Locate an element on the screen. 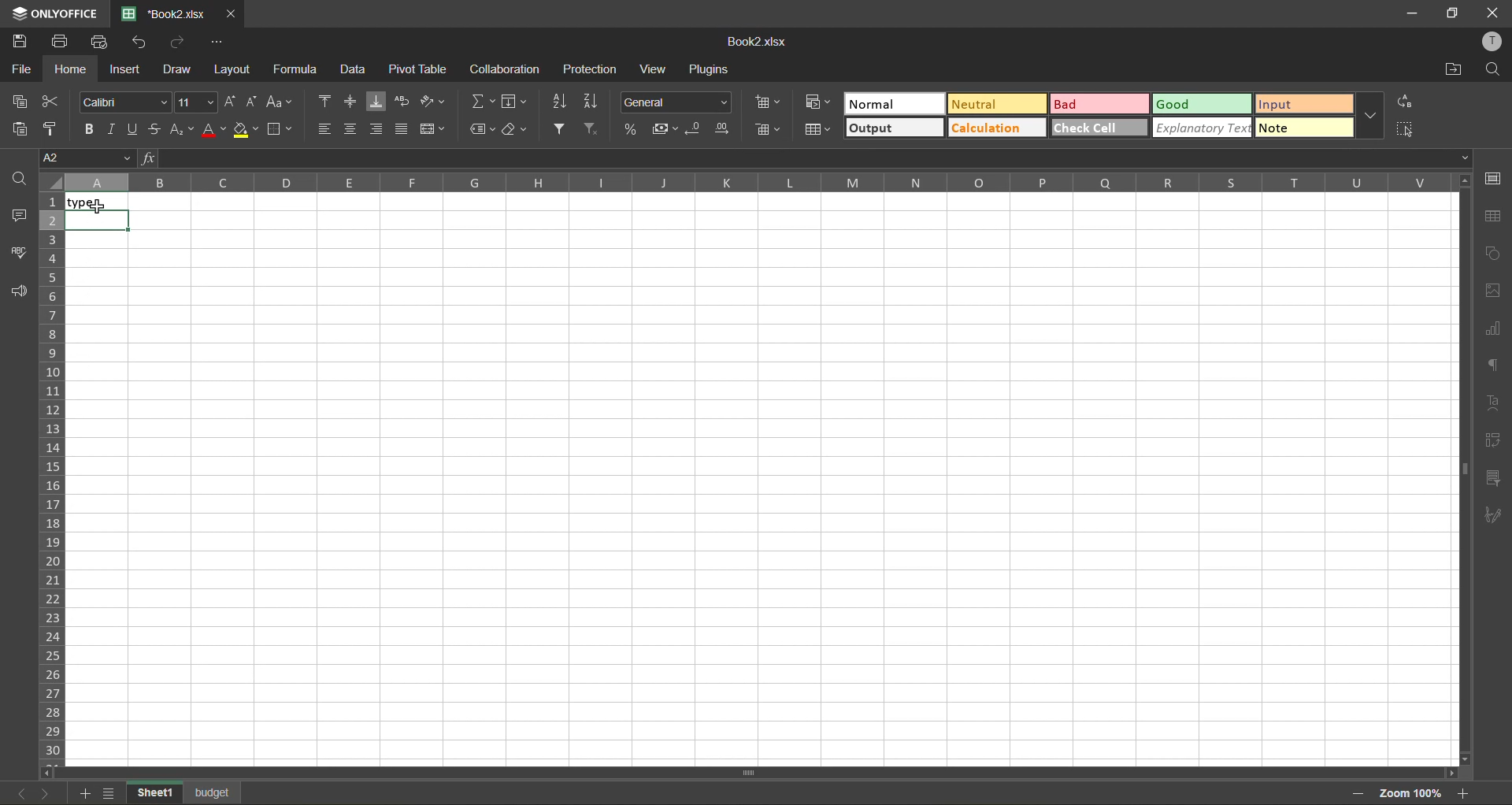  accounting is located at coordinates (666, 127).